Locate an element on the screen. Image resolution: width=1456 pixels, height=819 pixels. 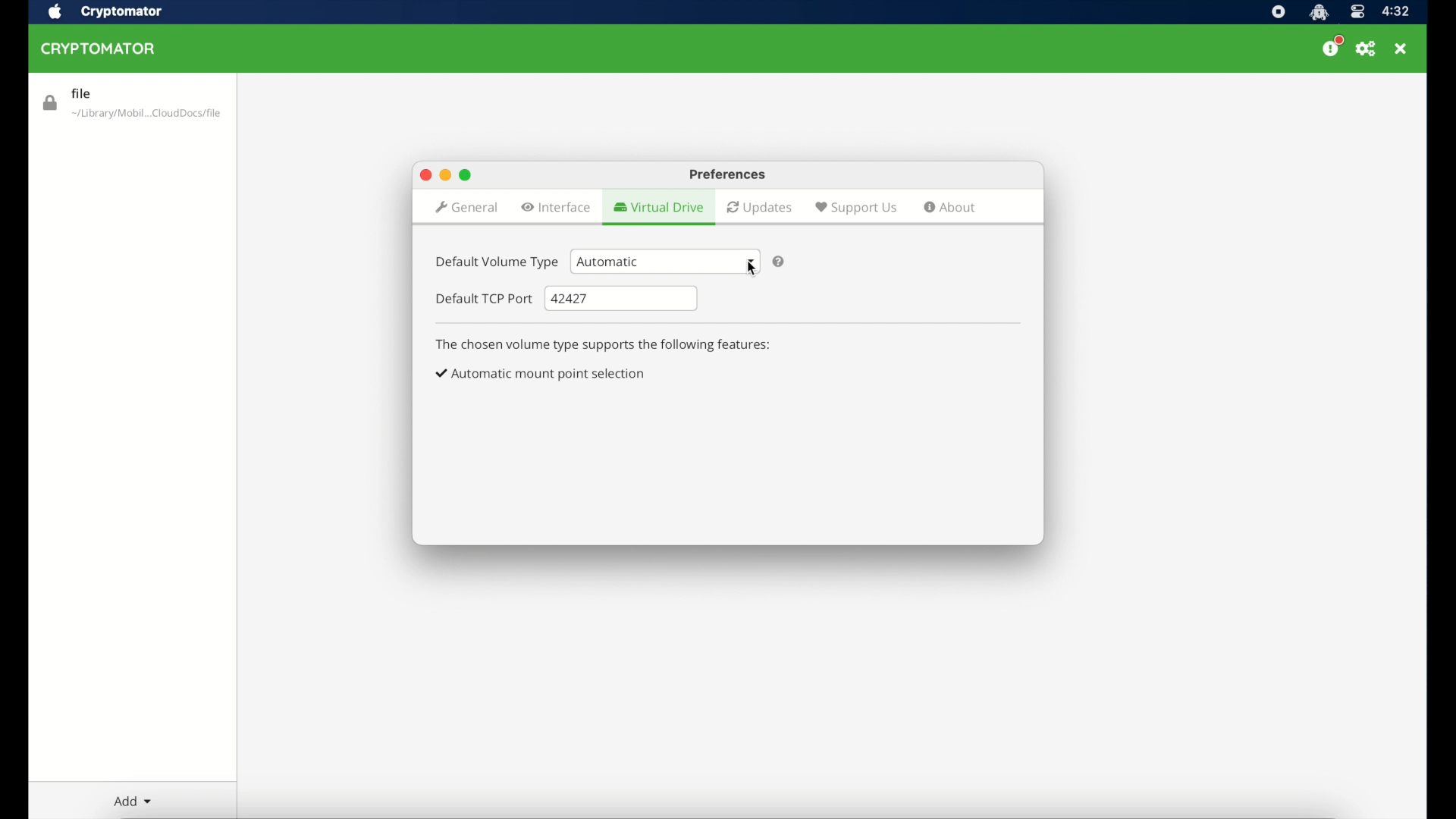
question mark icon is located at coordinates (778, 262).